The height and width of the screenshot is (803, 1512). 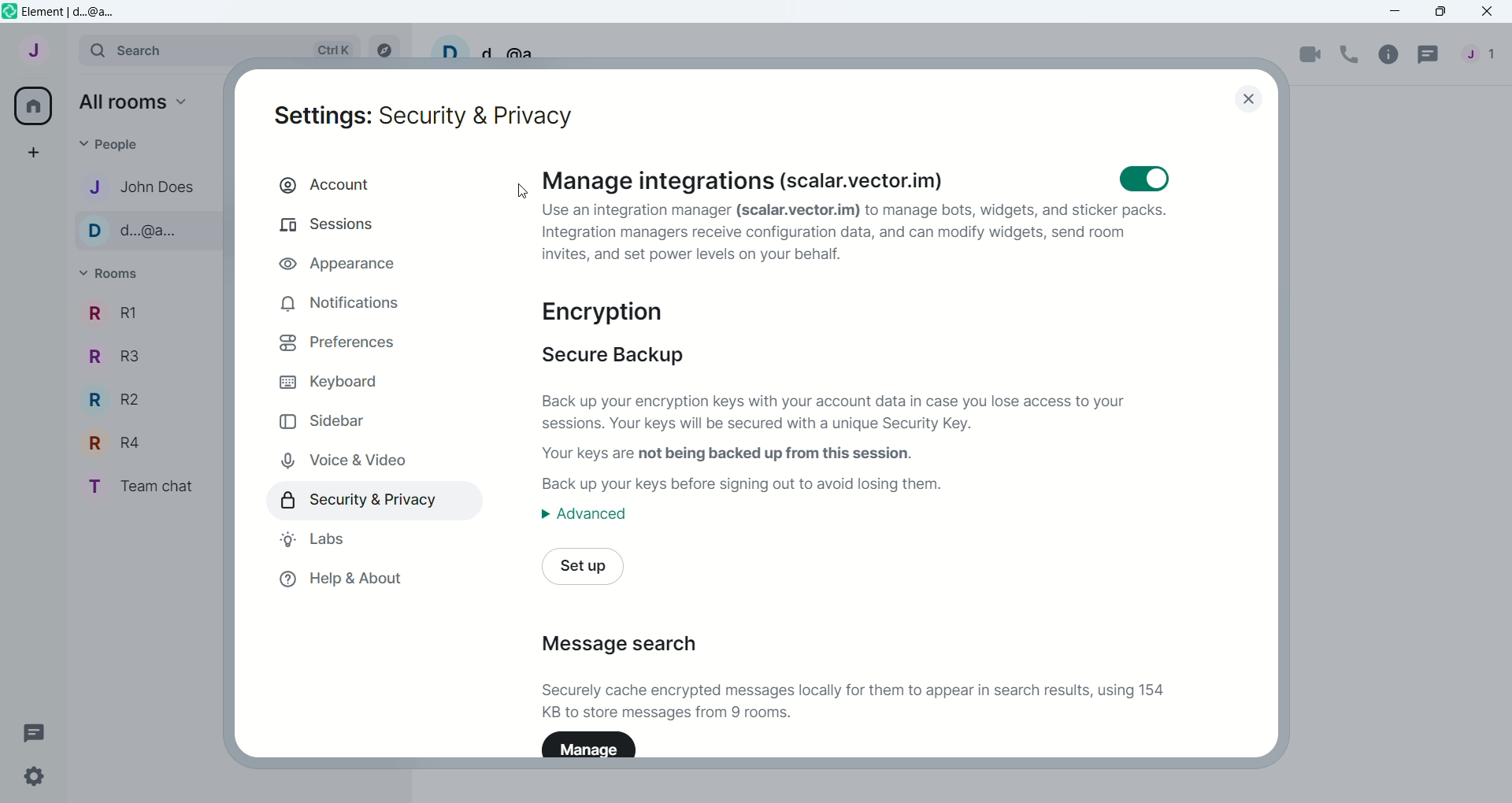 What do you see at coordinates (114, 145) in the screenshot?
I see `people` at bounding box center [114, 145].